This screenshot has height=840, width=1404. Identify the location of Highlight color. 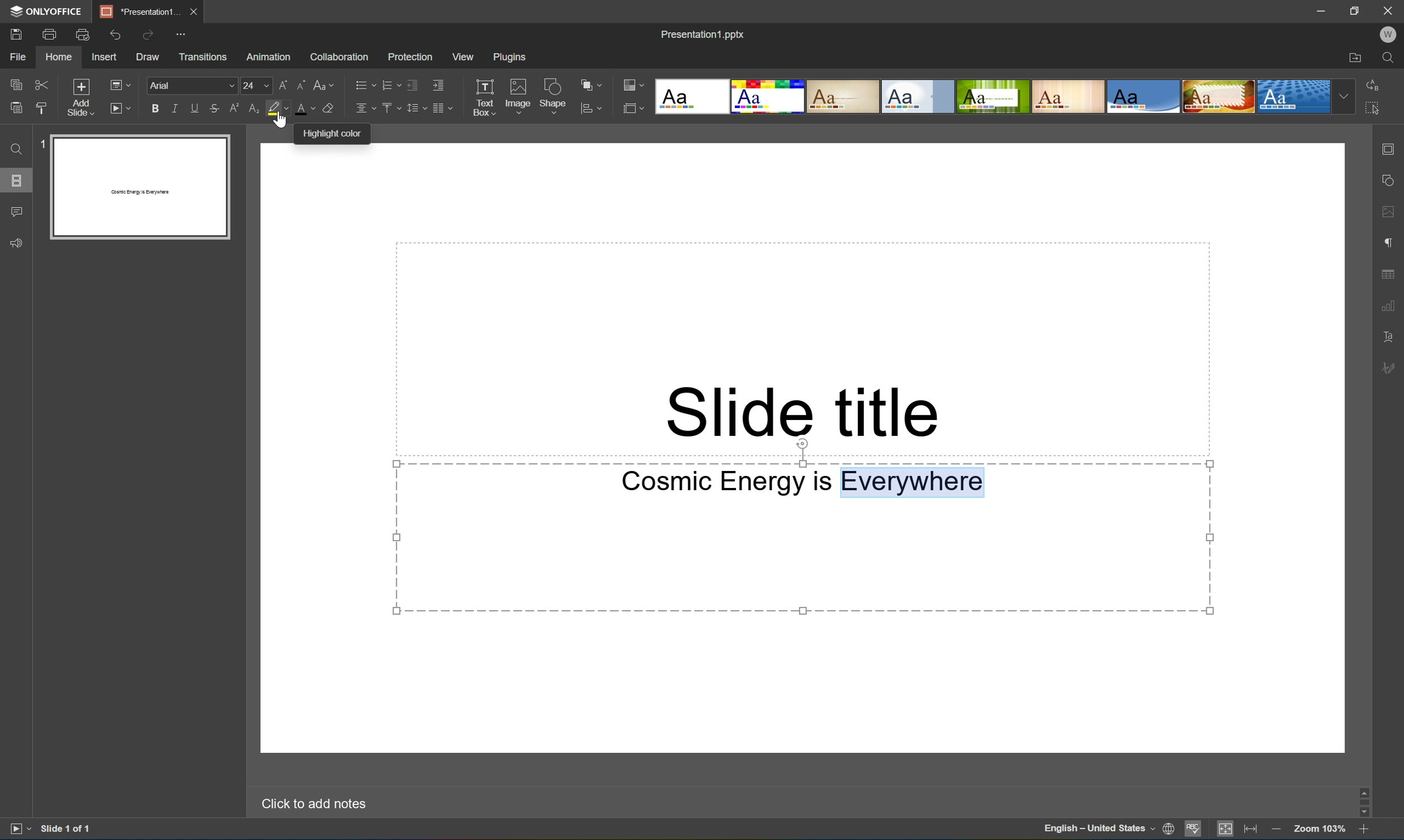
(339, 134).